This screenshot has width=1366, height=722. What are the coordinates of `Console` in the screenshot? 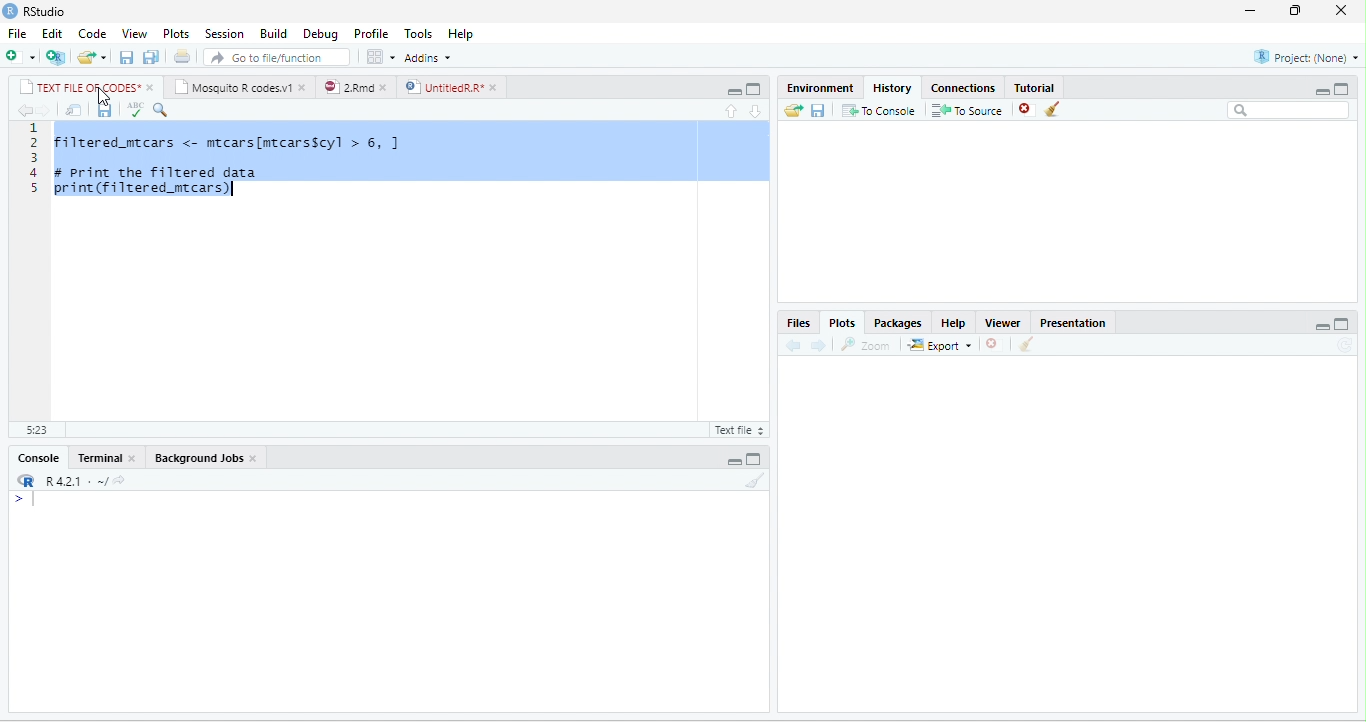 It's located at (37, 458).